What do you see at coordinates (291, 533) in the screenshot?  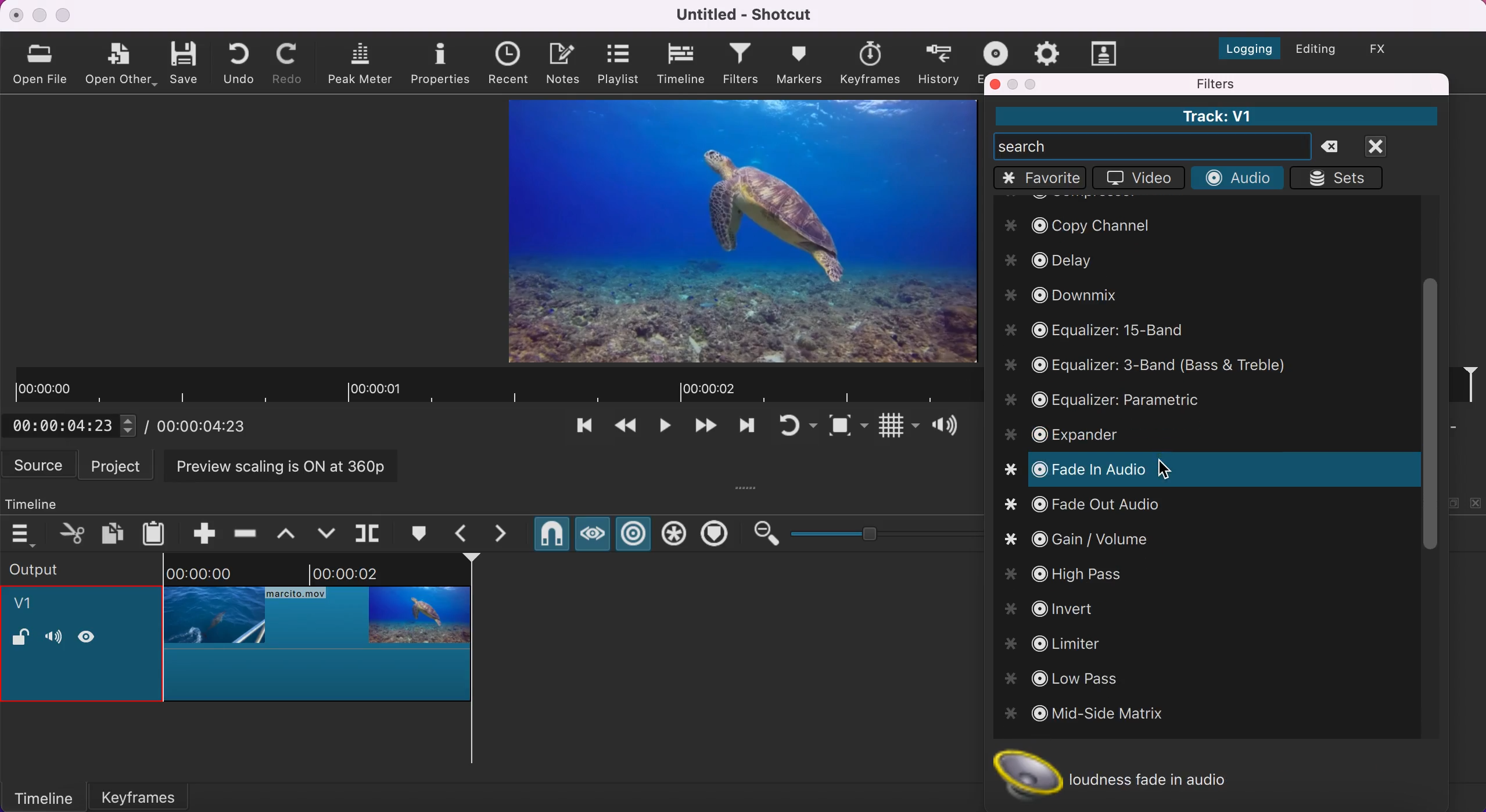 I see `lift` at bounding box center [291, 533].